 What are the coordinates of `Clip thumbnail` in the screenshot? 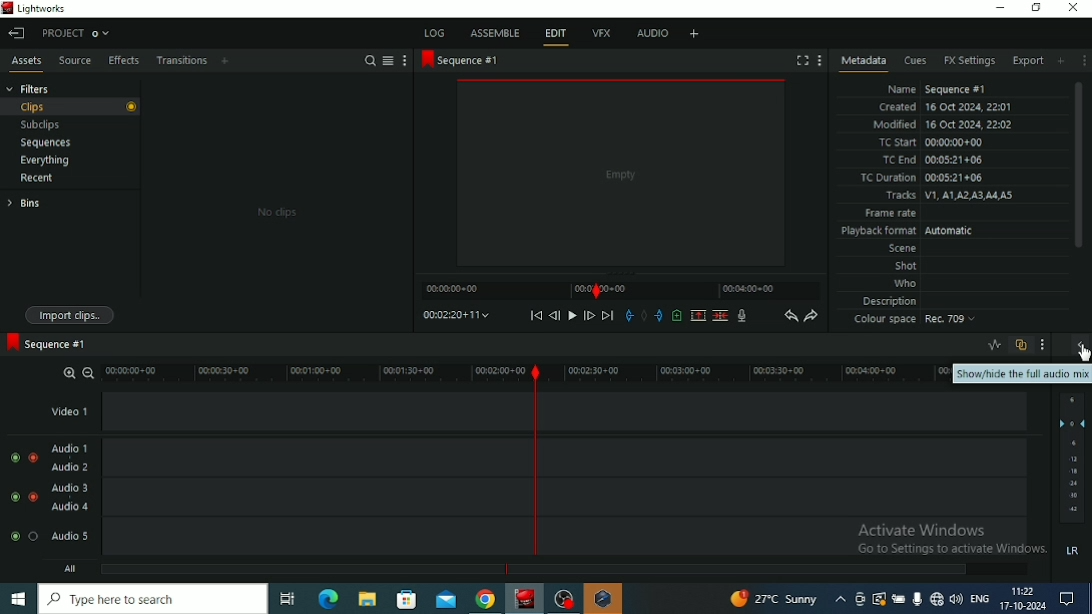 It's located at (276, 204).